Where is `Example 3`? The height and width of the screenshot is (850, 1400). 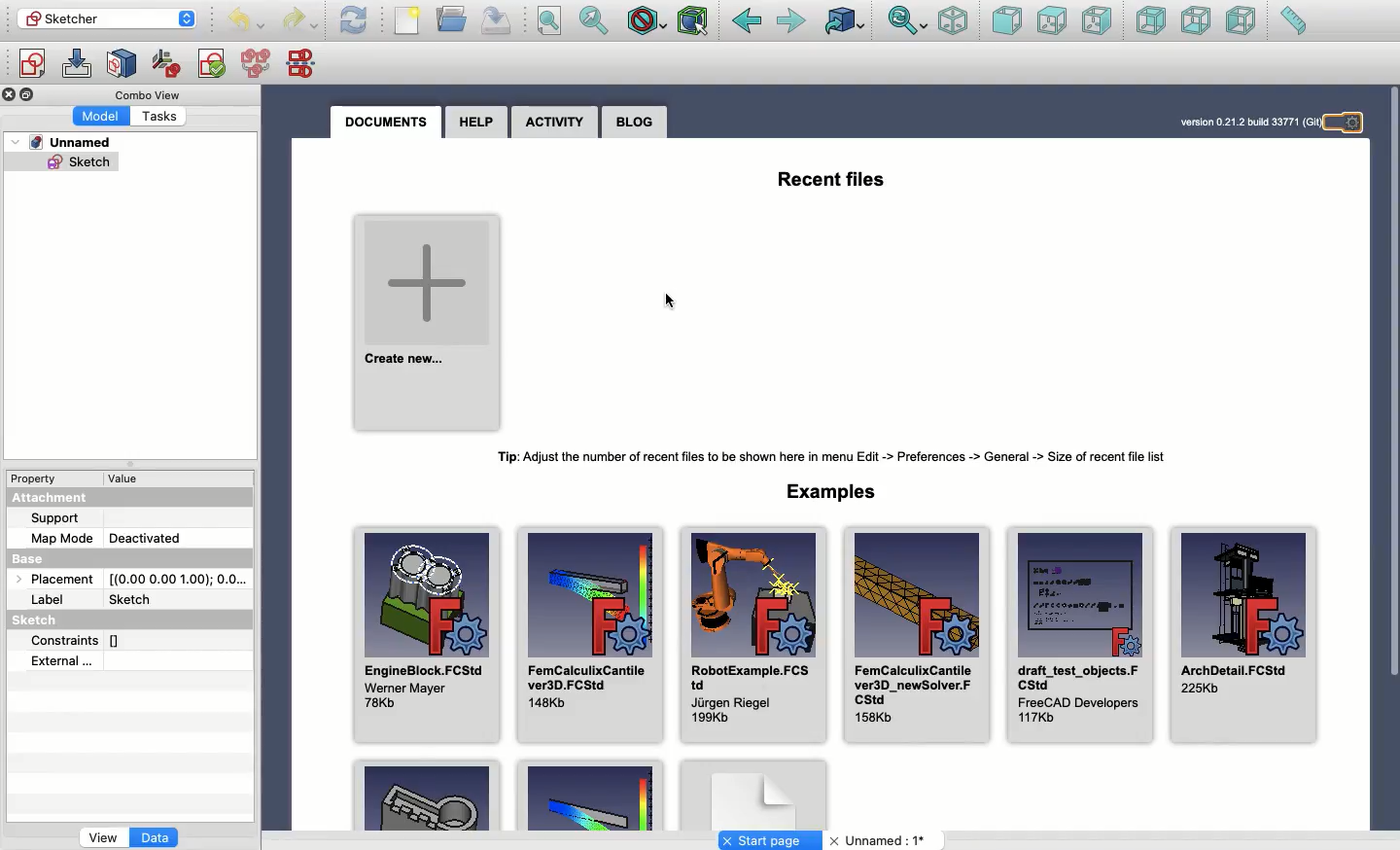
Example 3 is located at coordinates (755, 796).